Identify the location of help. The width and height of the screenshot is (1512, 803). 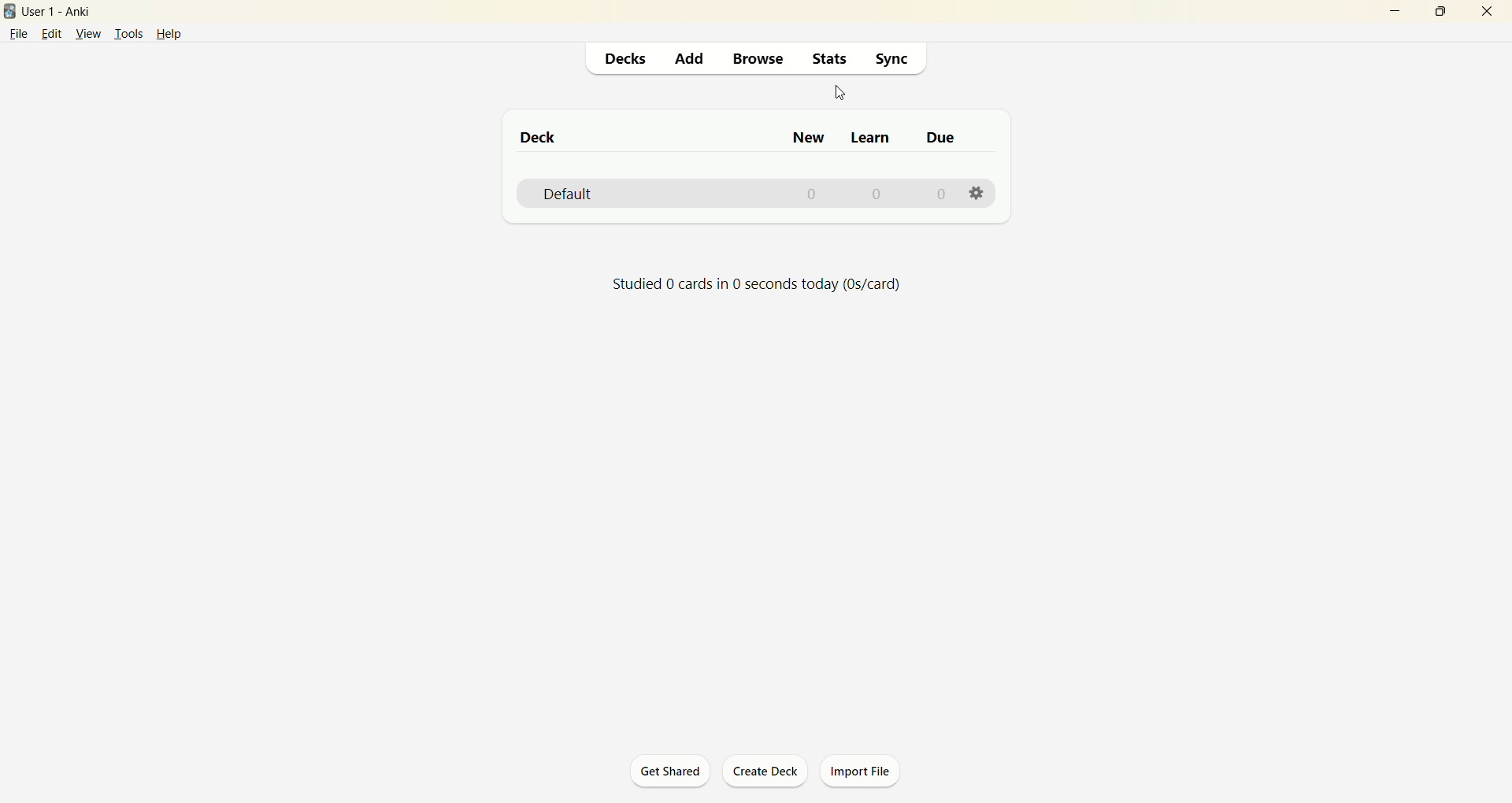
(178, 33).